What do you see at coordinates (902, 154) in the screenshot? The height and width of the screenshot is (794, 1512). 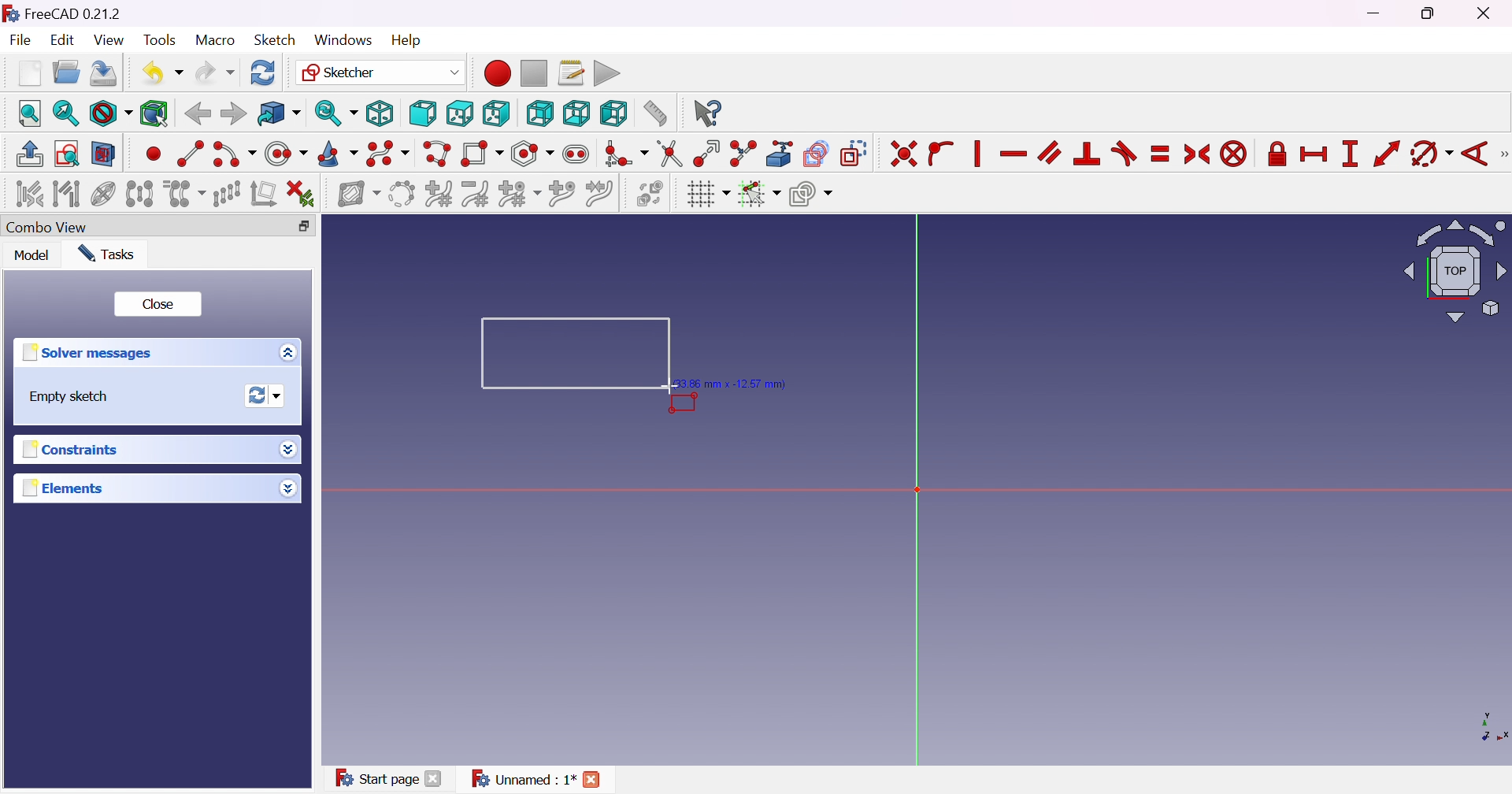 I see `Constrain coincident` at bounding box center [902, 154].